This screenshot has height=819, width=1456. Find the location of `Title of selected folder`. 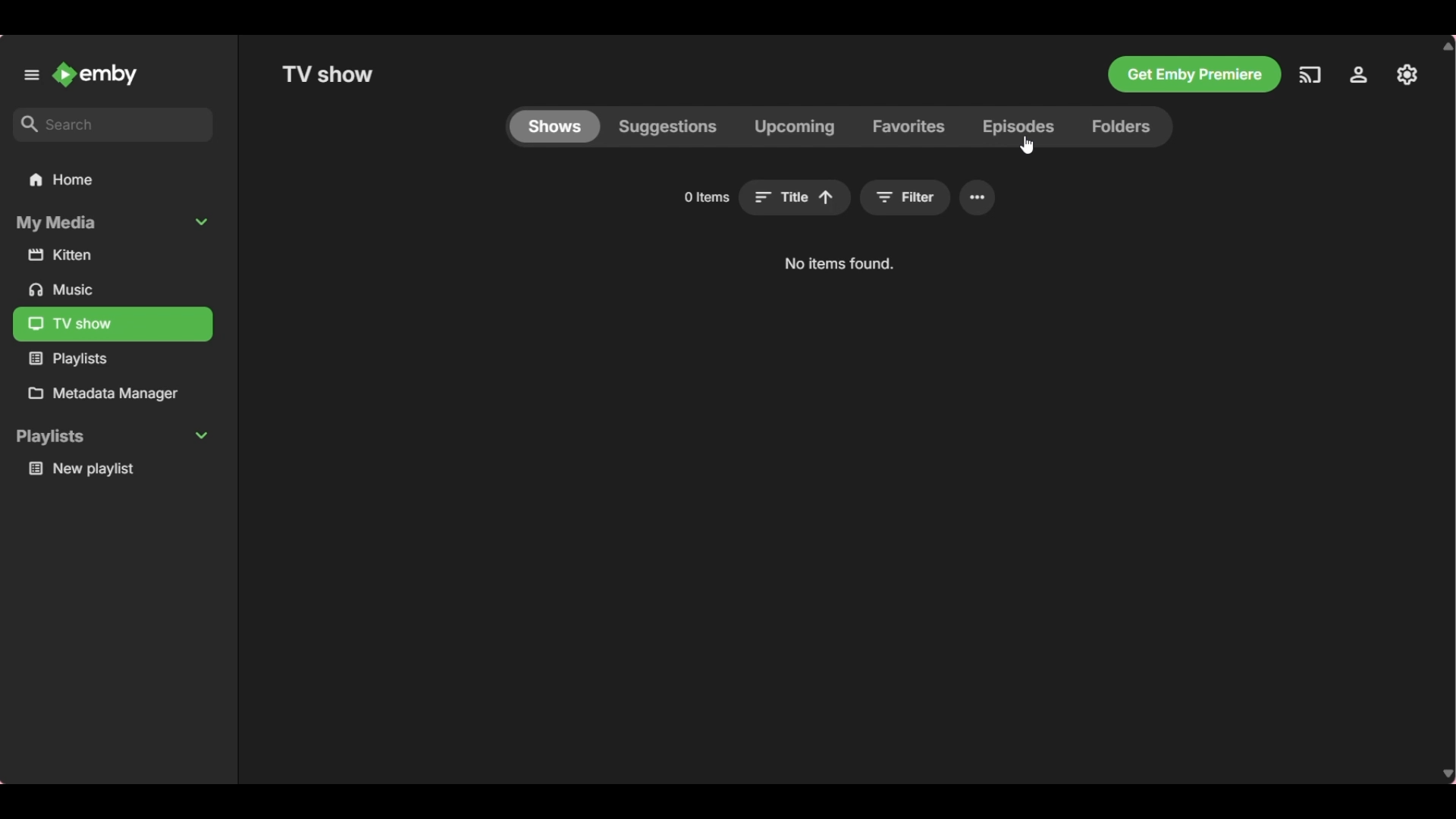

Title of selected folder is located at coordinates (328, 74).